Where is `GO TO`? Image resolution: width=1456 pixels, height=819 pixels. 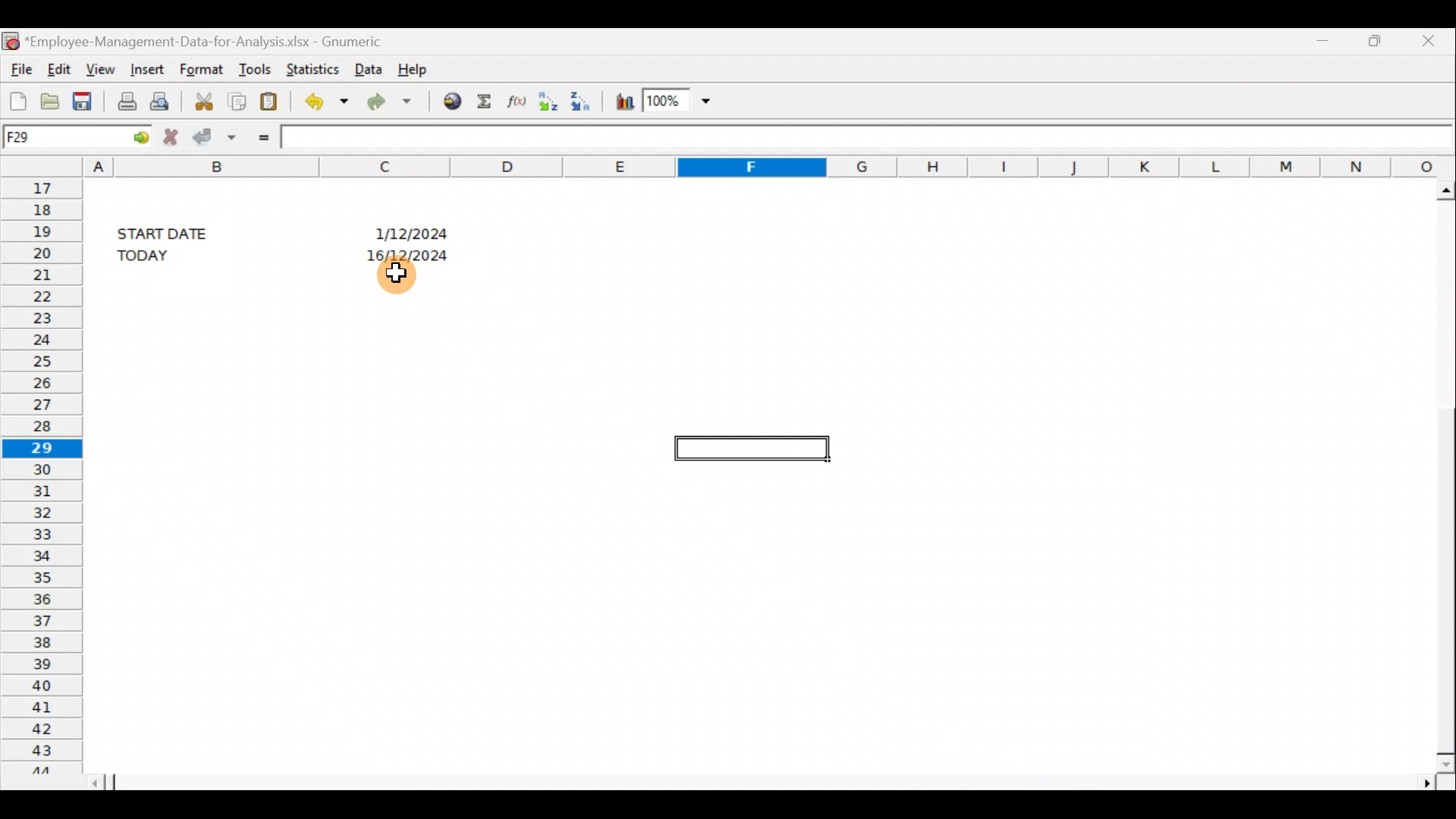 GO TO is located at coordinates (127, 136).